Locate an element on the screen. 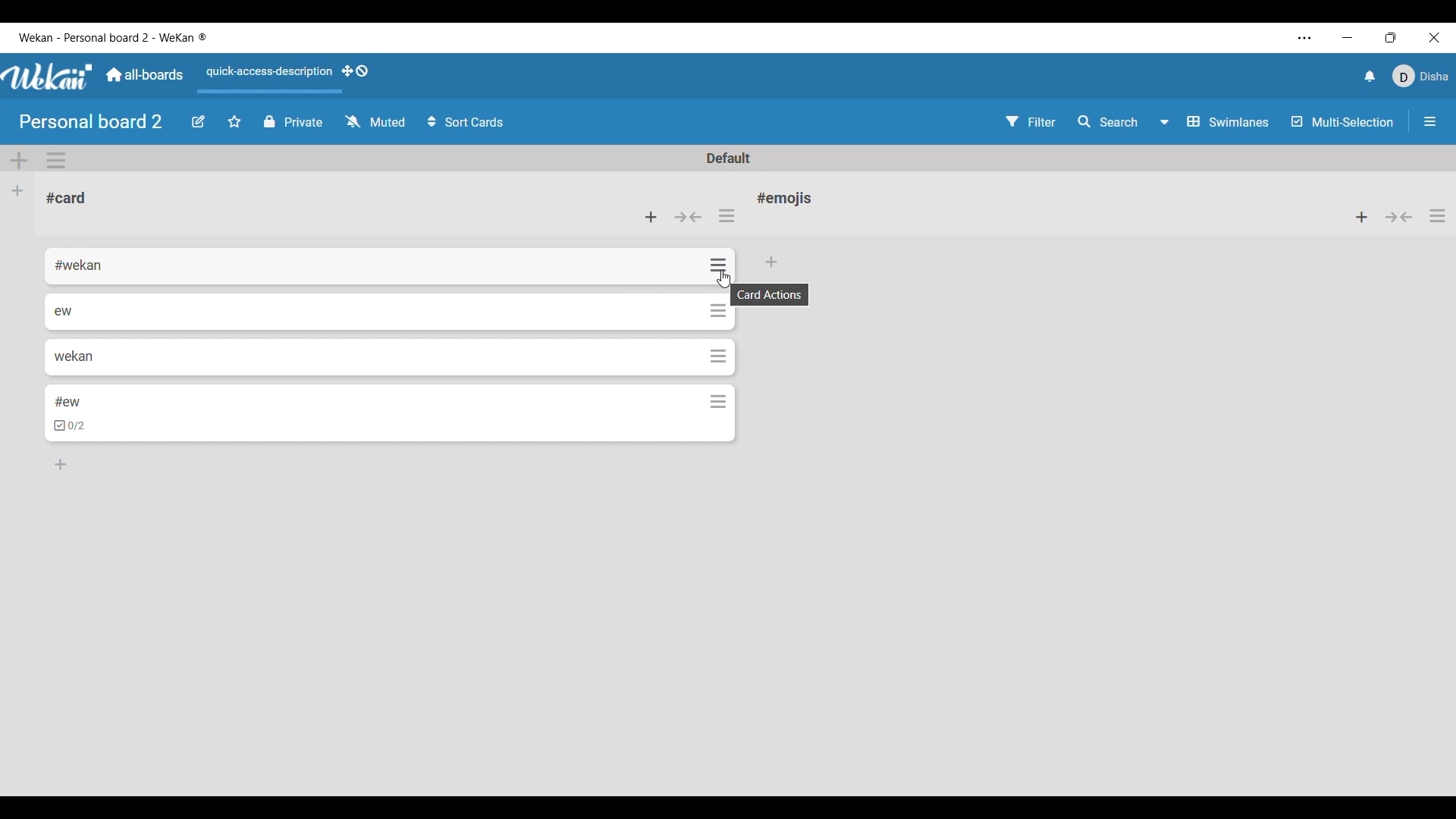  Card name is located at coordinates (788, 198).